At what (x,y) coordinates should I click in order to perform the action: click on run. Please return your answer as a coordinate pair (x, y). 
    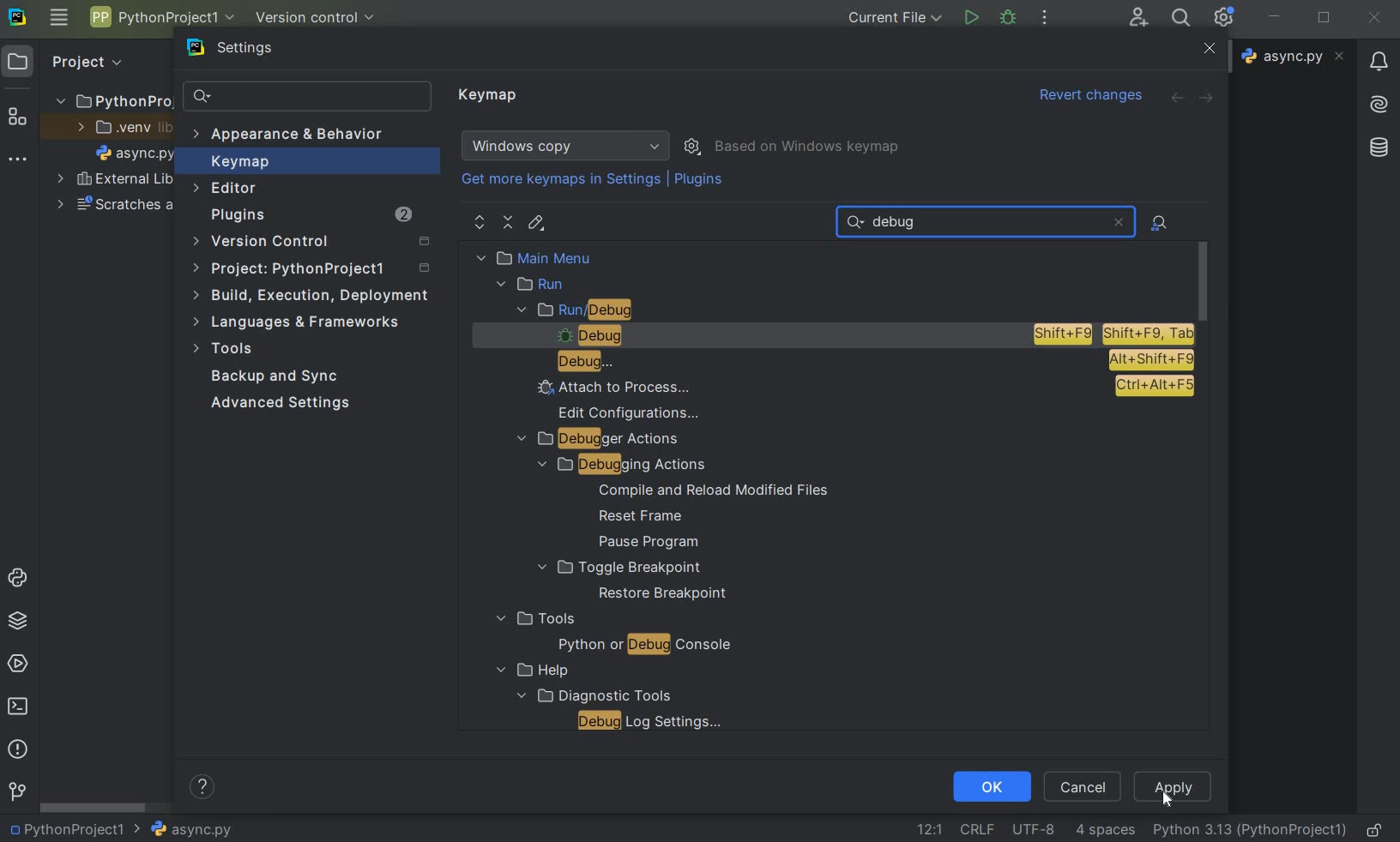
    Looking at the image, I should click on (533, 285).